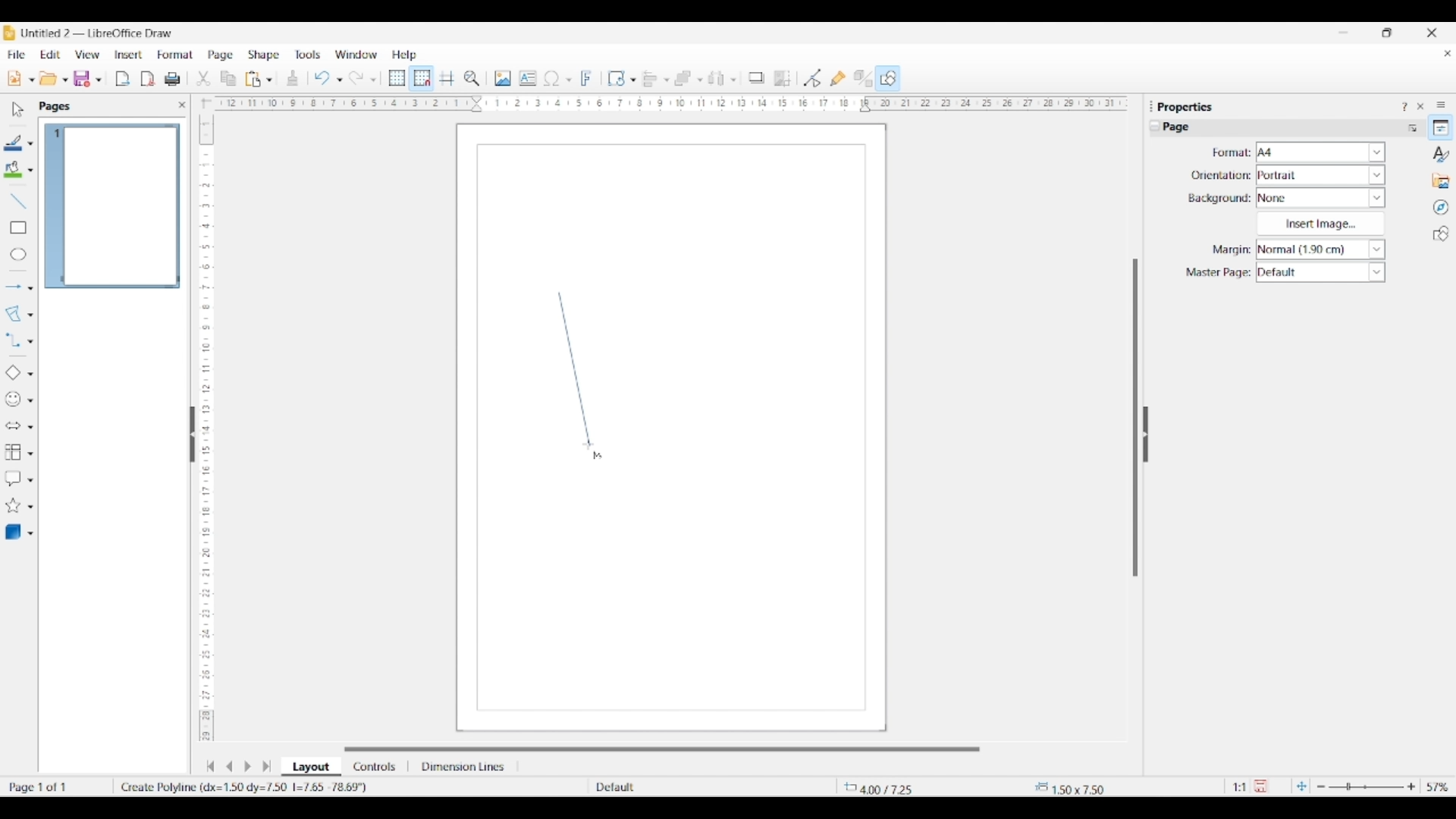 Image resolution: width=1456 pixels, height=819 pixels. I want to click on Software logo, so click(9, 33).